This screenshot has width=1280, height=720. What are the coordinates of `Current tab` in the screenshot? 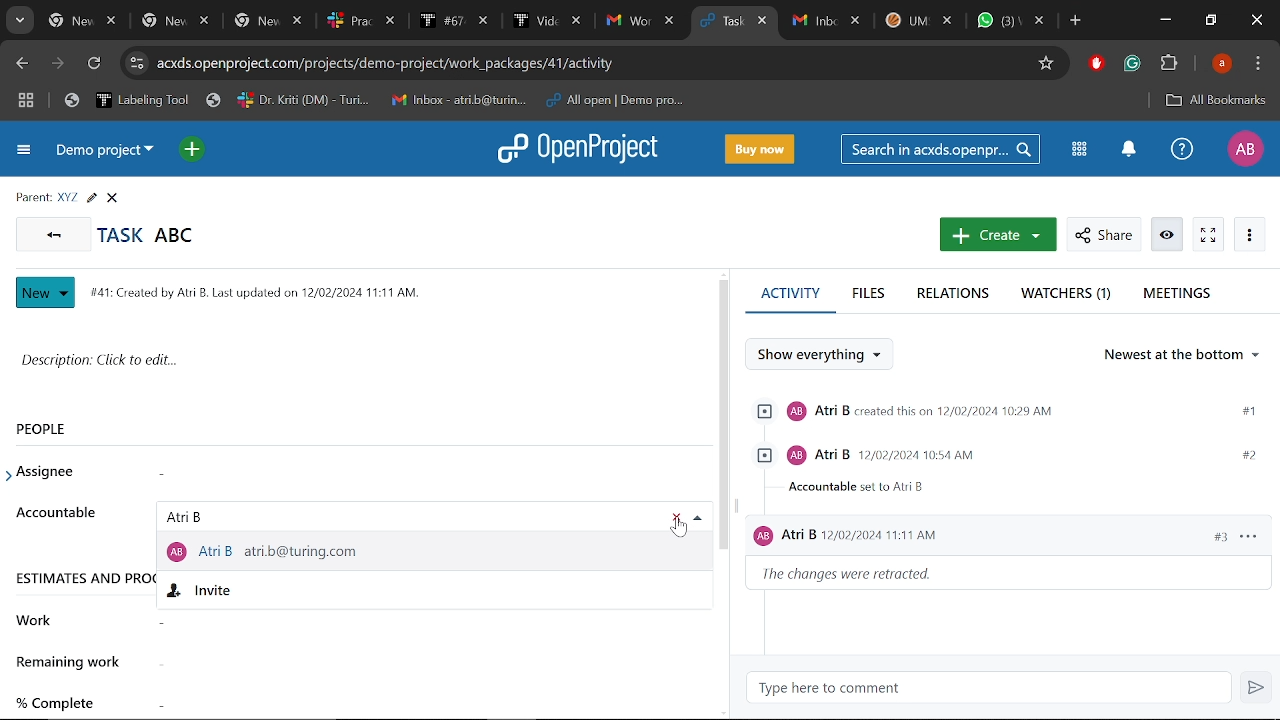 It's located at (722, 23).